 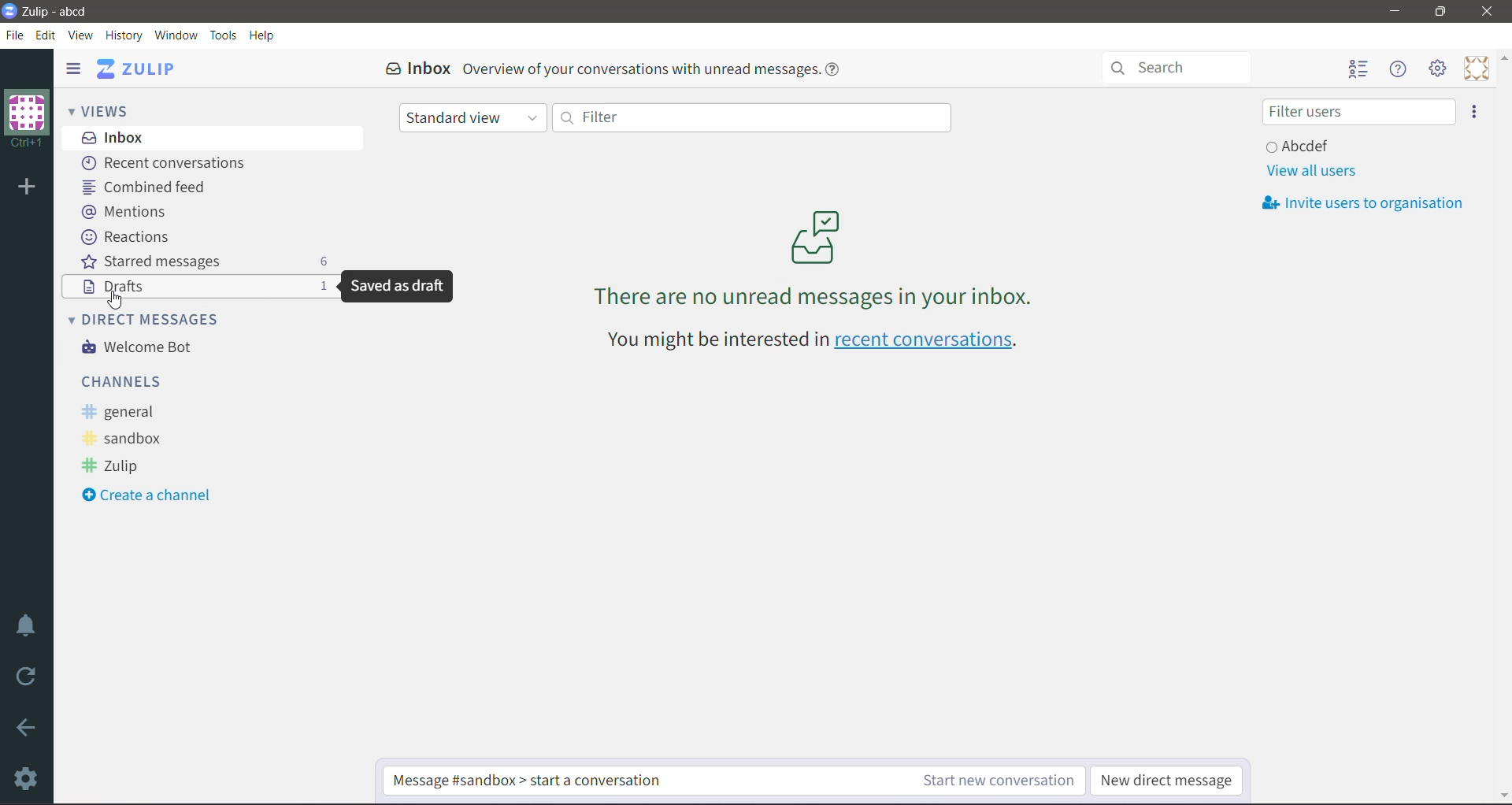 What do you see at coordinates (141, 348) in the screenshot?
I see `Welcome Bot` at bounding box center [141, 348].